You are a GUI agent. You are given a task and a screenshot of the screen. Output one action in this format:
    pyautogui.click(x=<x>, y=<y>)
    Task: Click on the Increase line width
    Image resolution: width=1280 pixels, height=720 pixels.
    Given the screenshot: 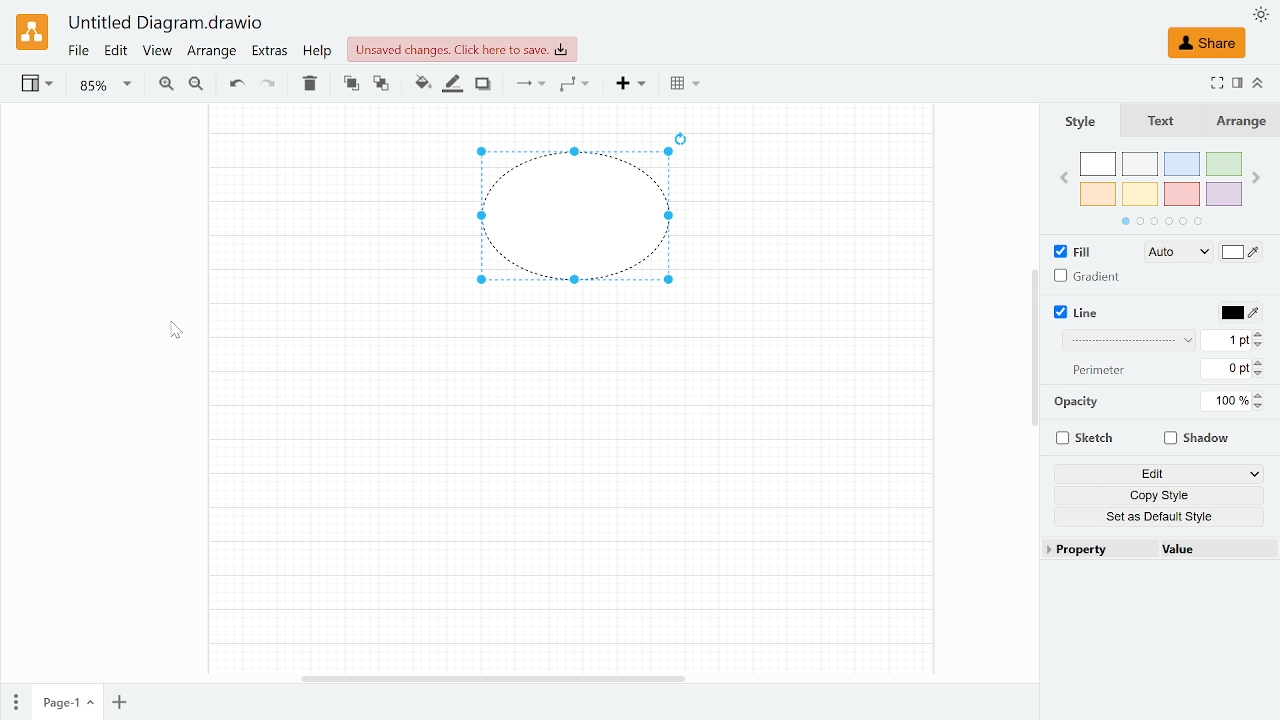 What is the action you would take?
    pyautogui.click(x=1262, y=333)
    